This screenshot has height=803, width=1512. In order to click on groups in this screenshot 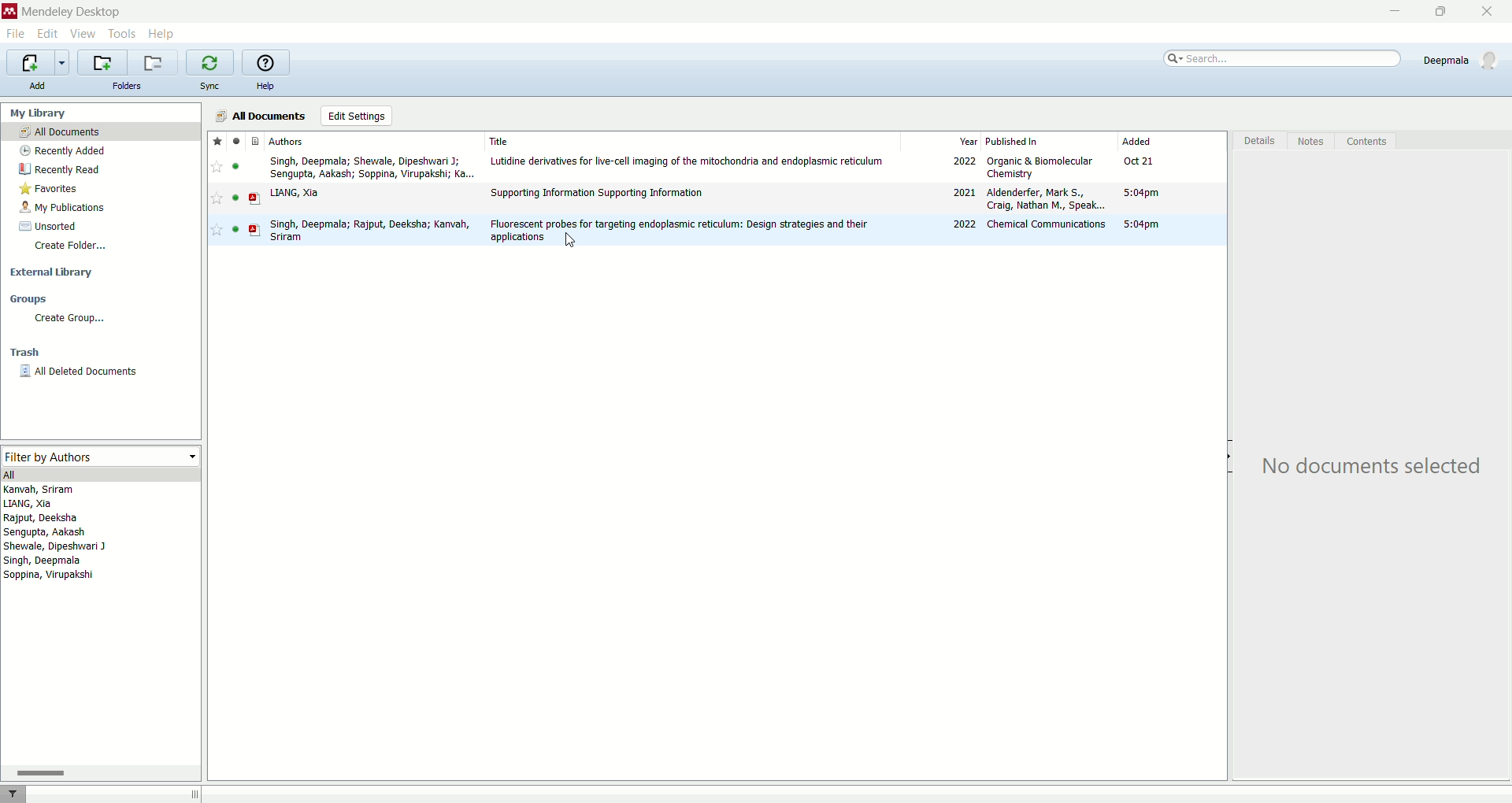, I will do `click(28, 301)`.